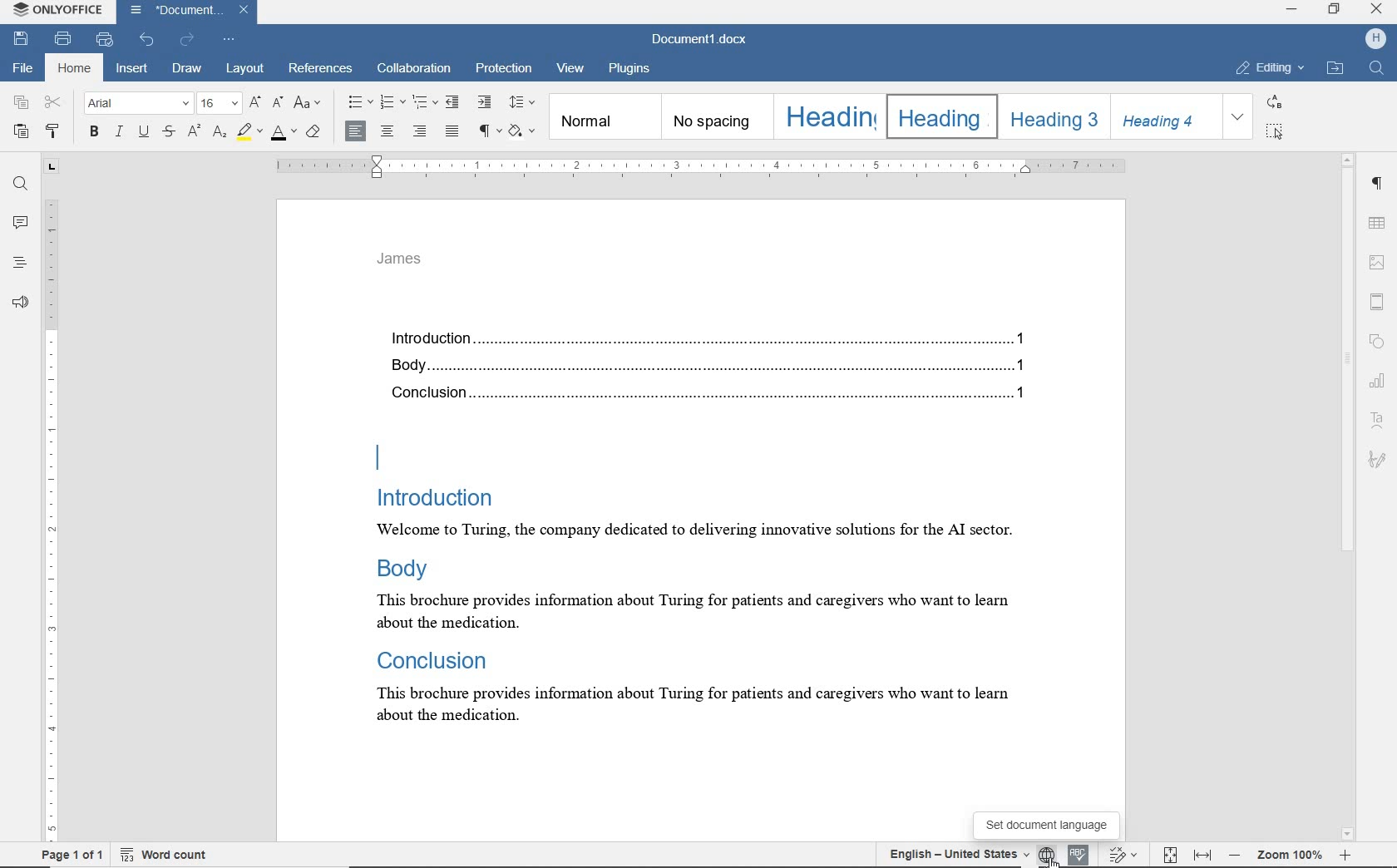 The image size is (1397, 868). I want to click on Conclusion...........................................................................................................................................1, so click(715, 395).